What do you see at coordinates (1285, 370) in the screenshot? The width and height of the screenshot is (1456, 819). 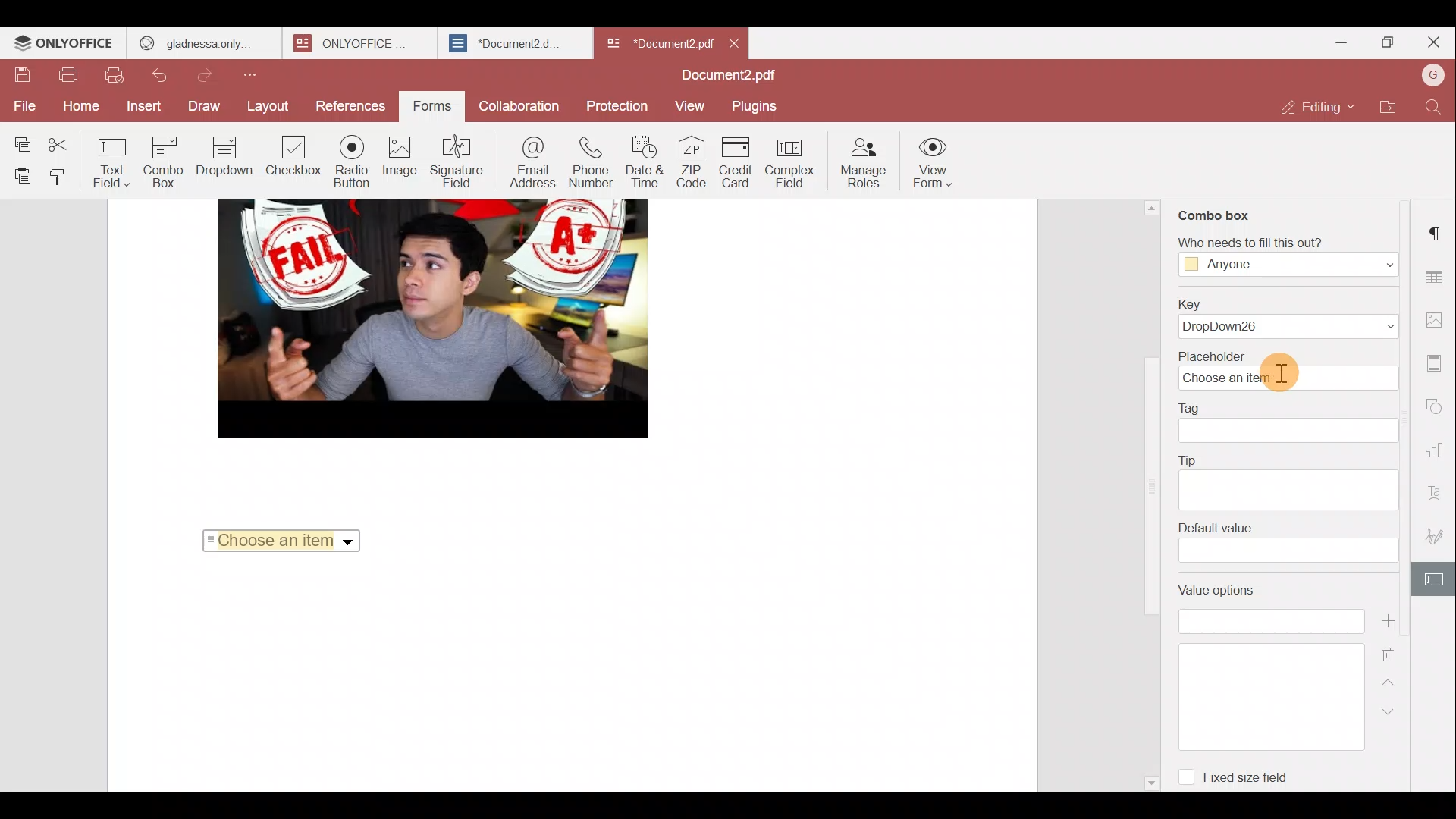 I see `cursor` at bounding box center [1285, 370].